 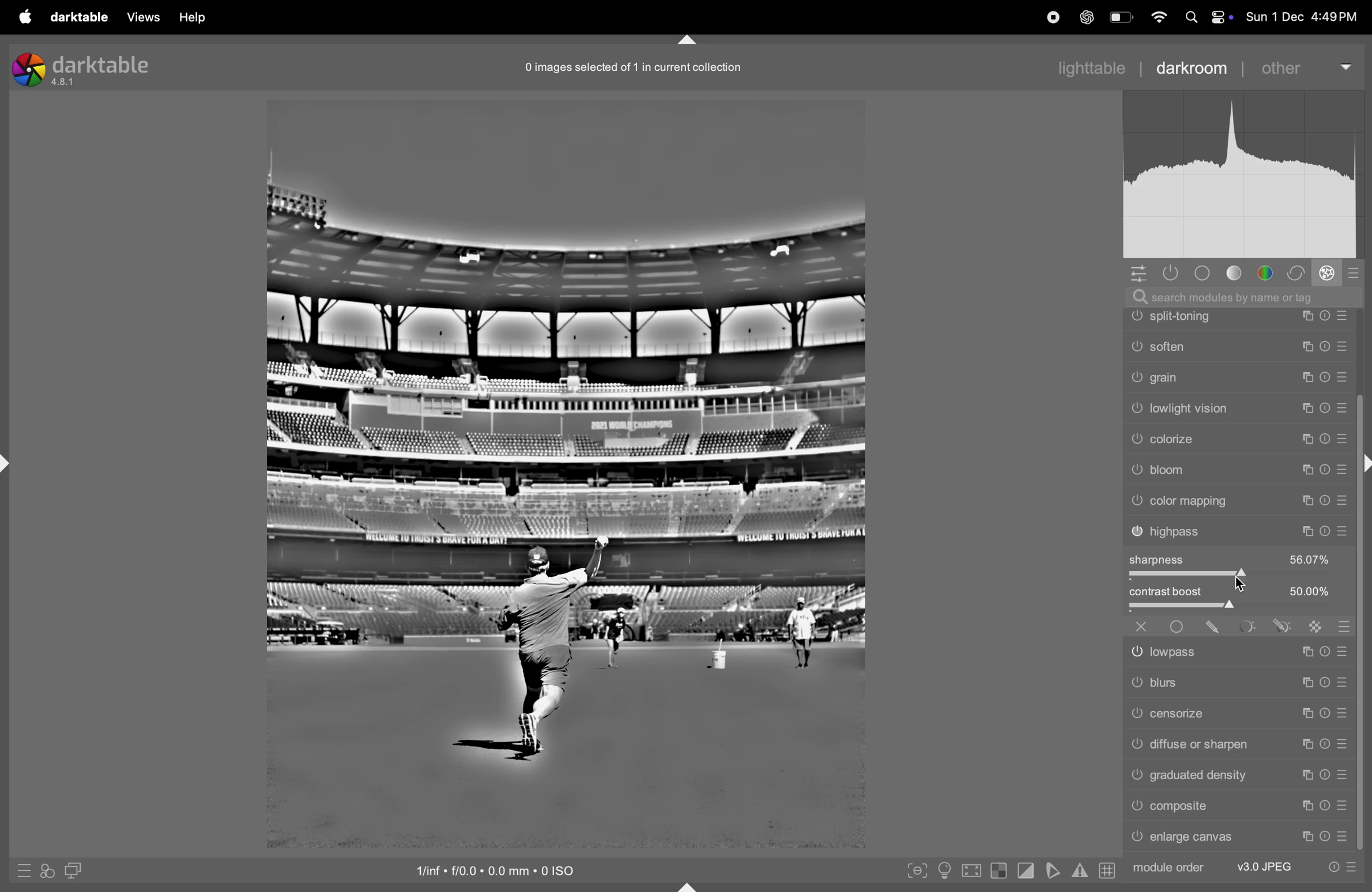 What do you see at coordinates (943, 871) in the screenshot?
I see `toggle iso` at bounding box center [943, 871].